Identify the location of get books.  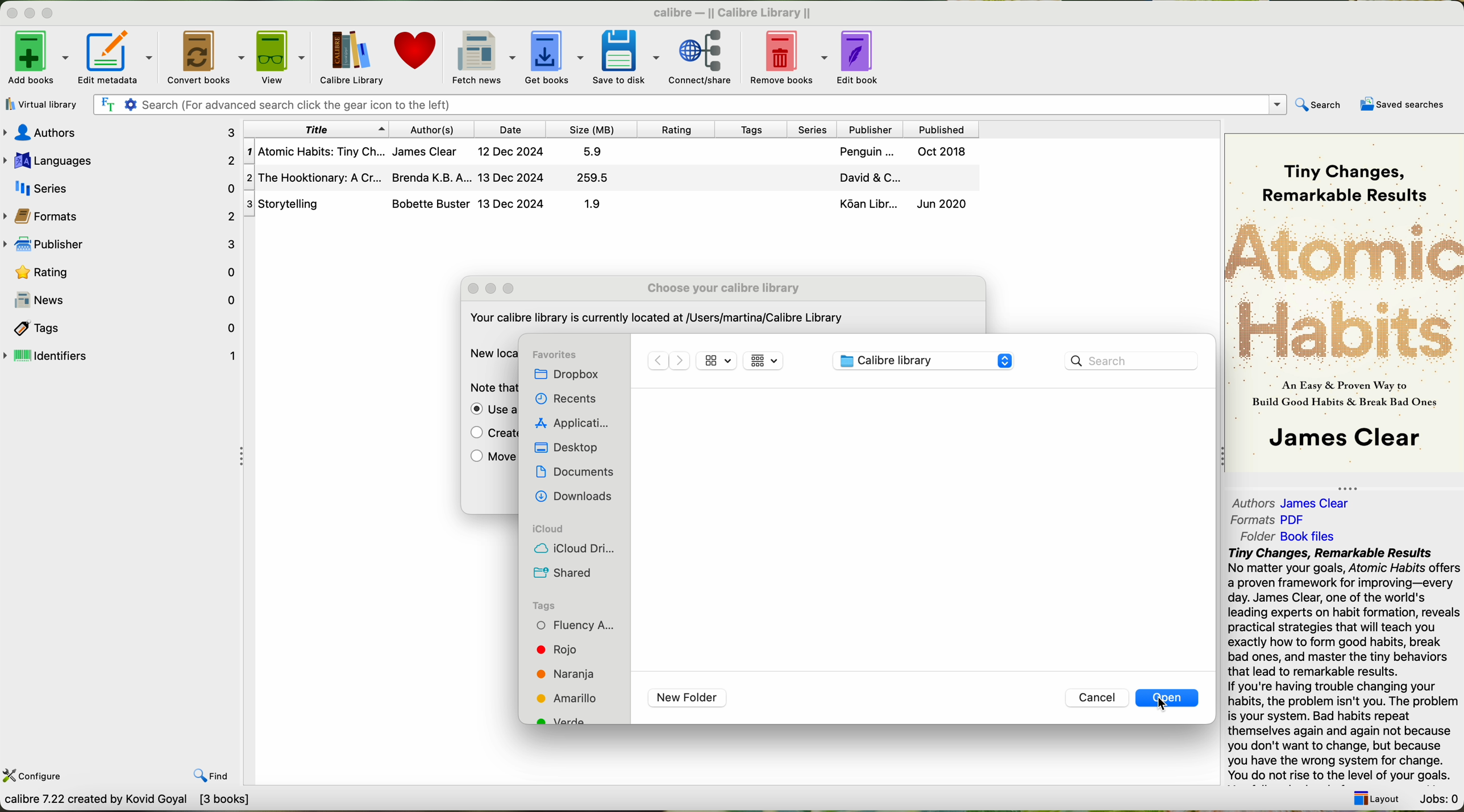
(554, 55).